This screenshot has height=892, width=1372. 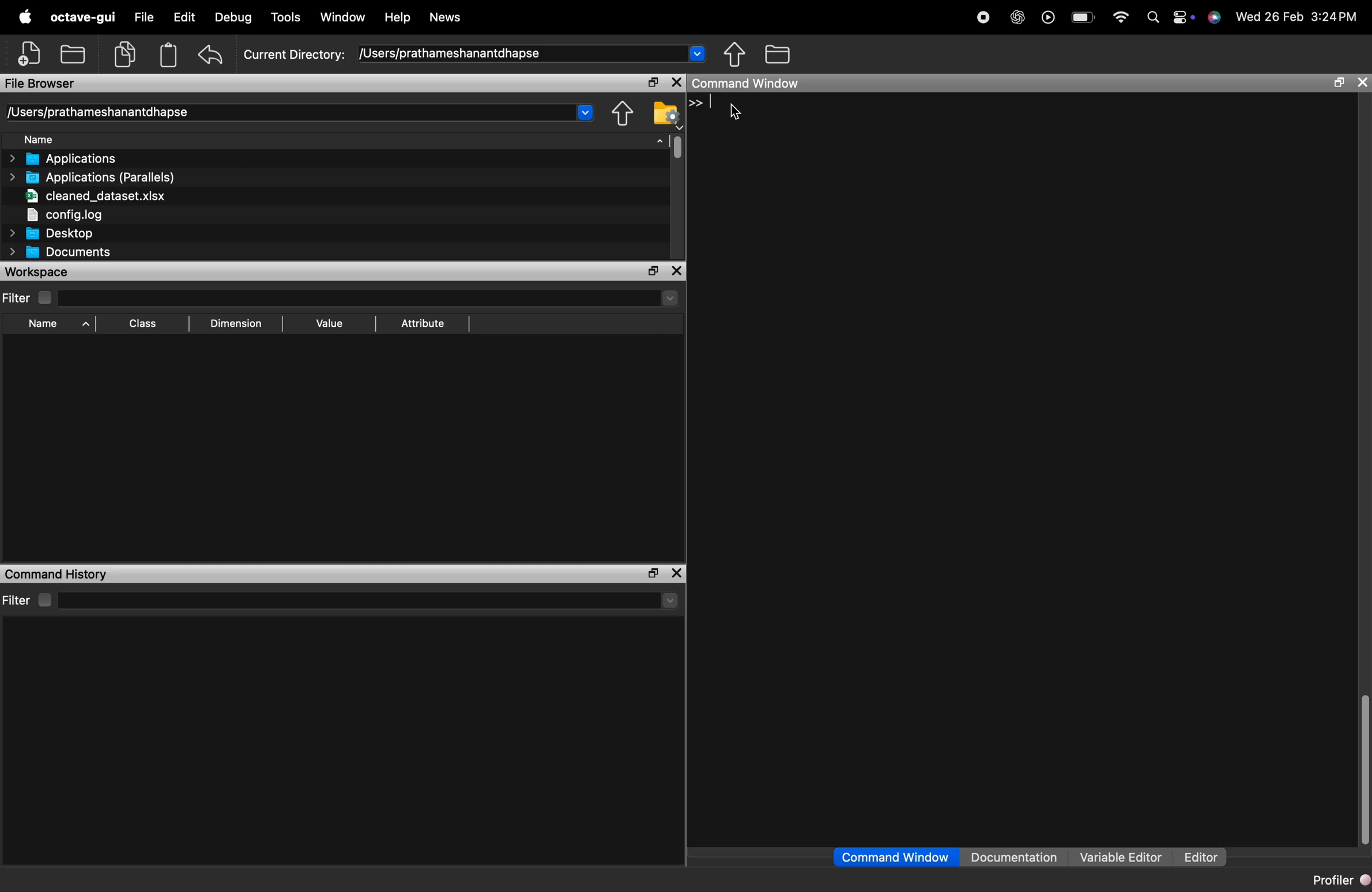 I want to click on Help, so click(x=398, y=18).